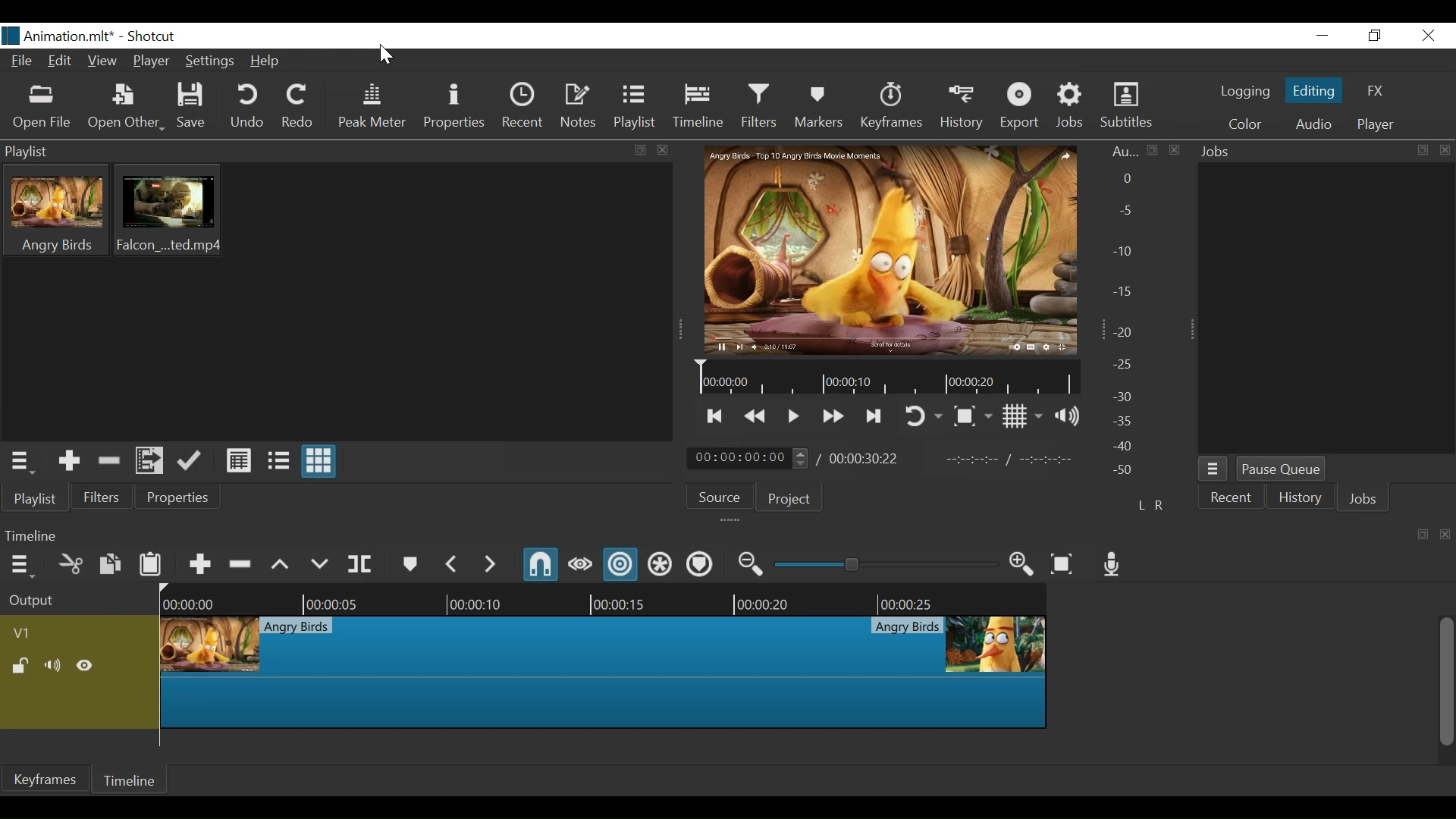 Image resolution: width=1456 pixels, height=819 pixels. Describe the element at coordinates (866, 459) in the screenshot. I see `Total Duration` at that location.